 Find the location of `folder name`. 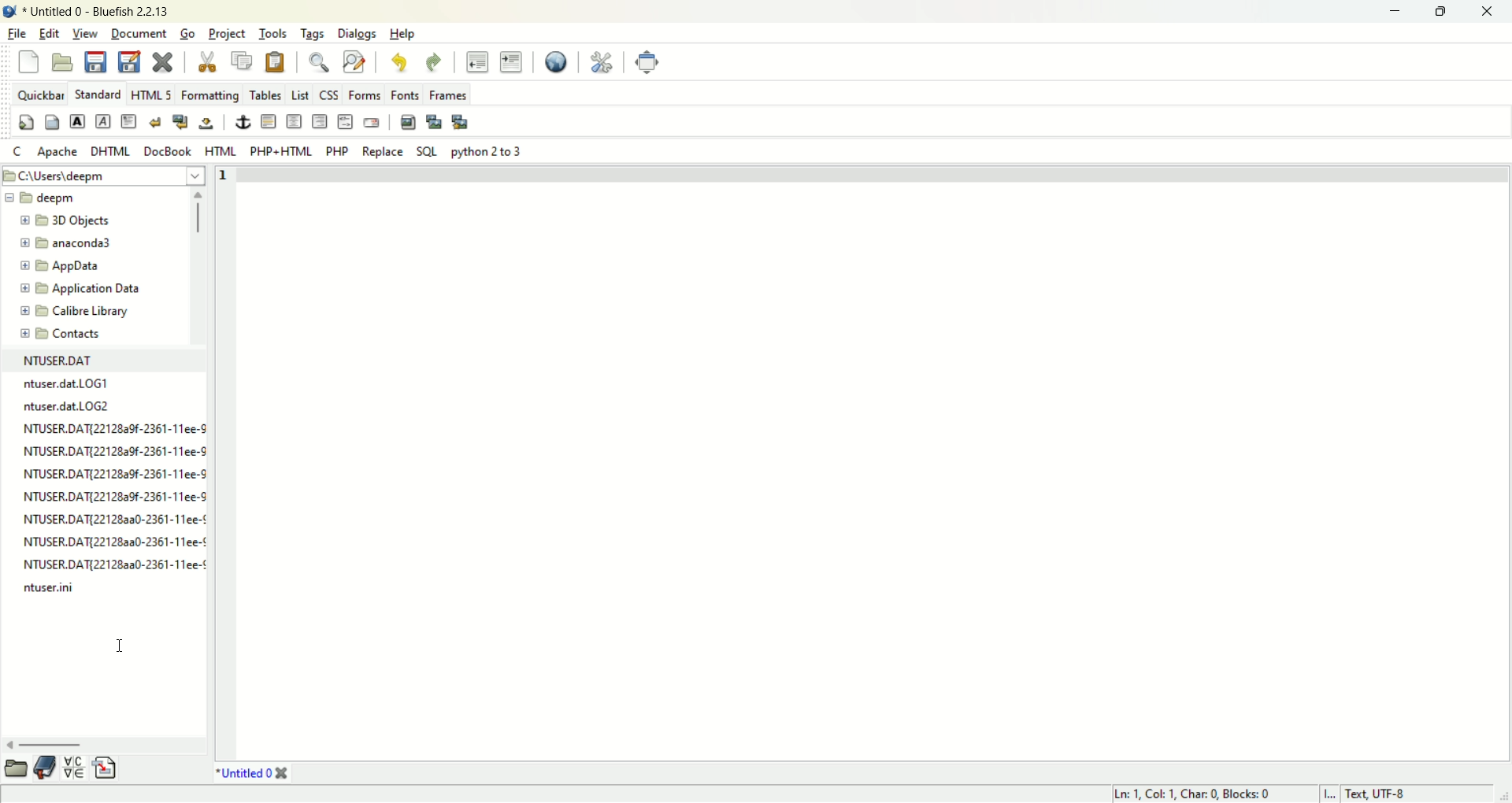

folder name is located at coordinates (84, 223).